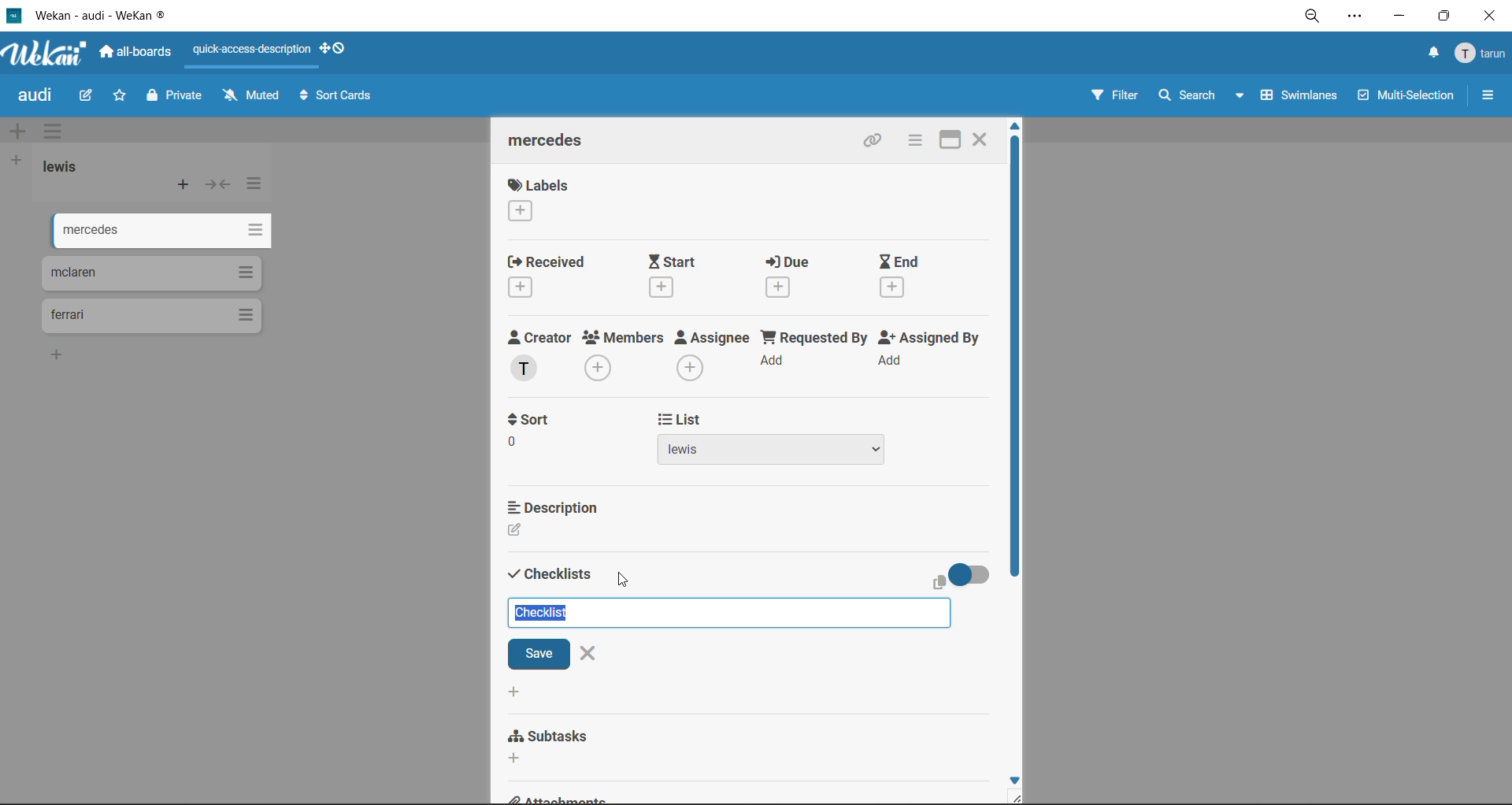 This screenshot has height=805, width=1512. Describe the element at coordinates (1407, 98) in the screenshot. I see `multiselection` at that location.